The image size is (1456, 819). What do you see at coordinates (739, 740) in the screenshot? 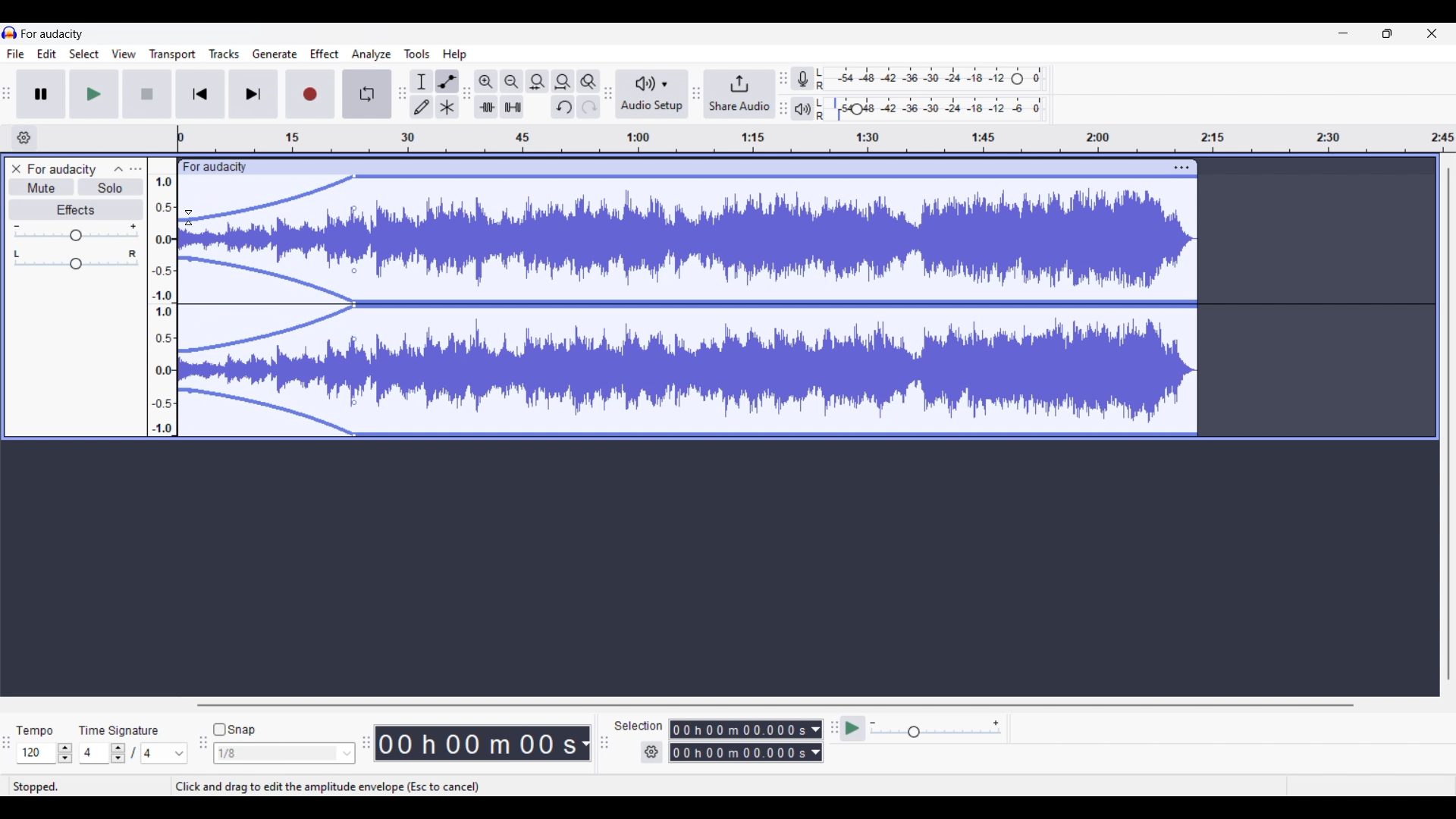
I see `Selection duration` at bounding box center [739, 740].